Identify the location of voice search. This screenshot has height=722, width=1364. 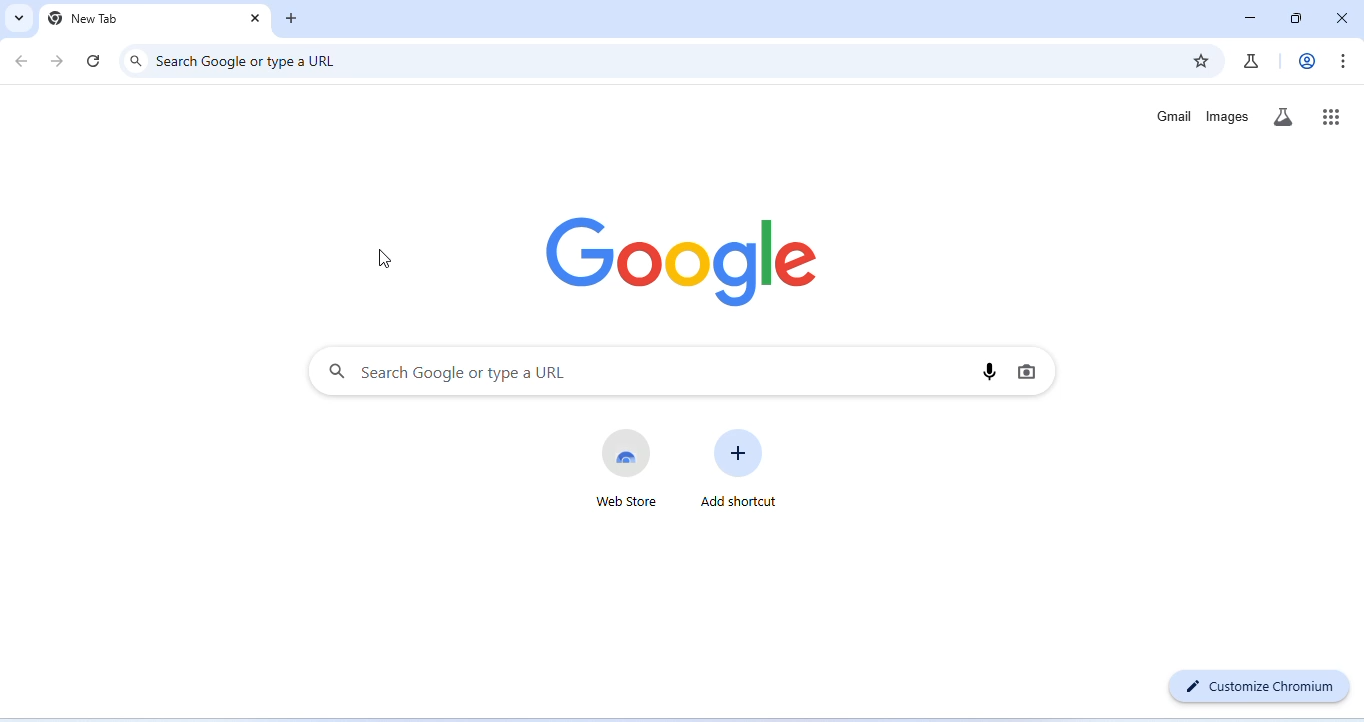
(991, 370).